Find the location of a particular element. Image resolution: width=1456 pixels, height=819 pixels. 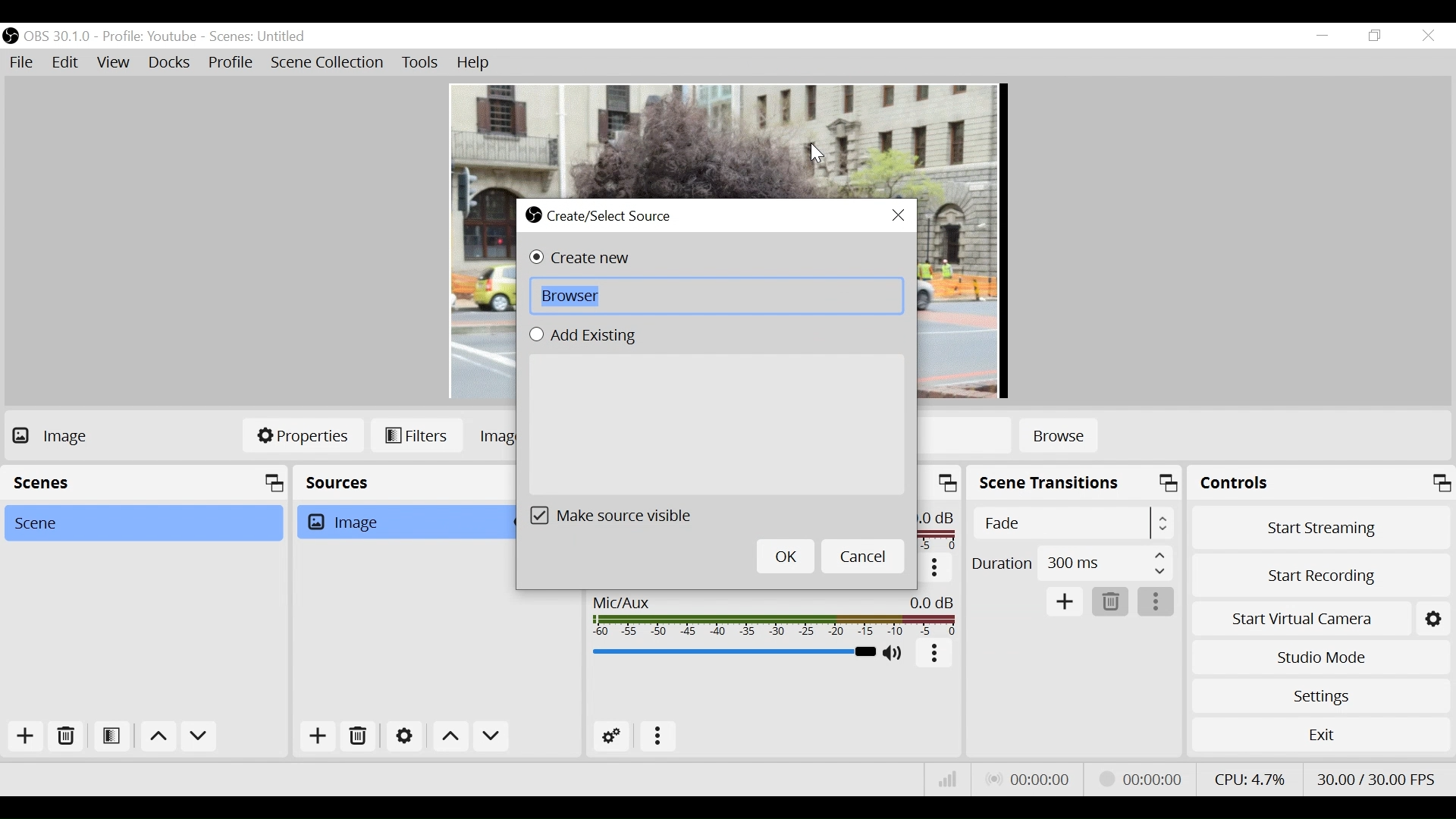

Start Virtual Camera is located at coordinates (1300, 620).